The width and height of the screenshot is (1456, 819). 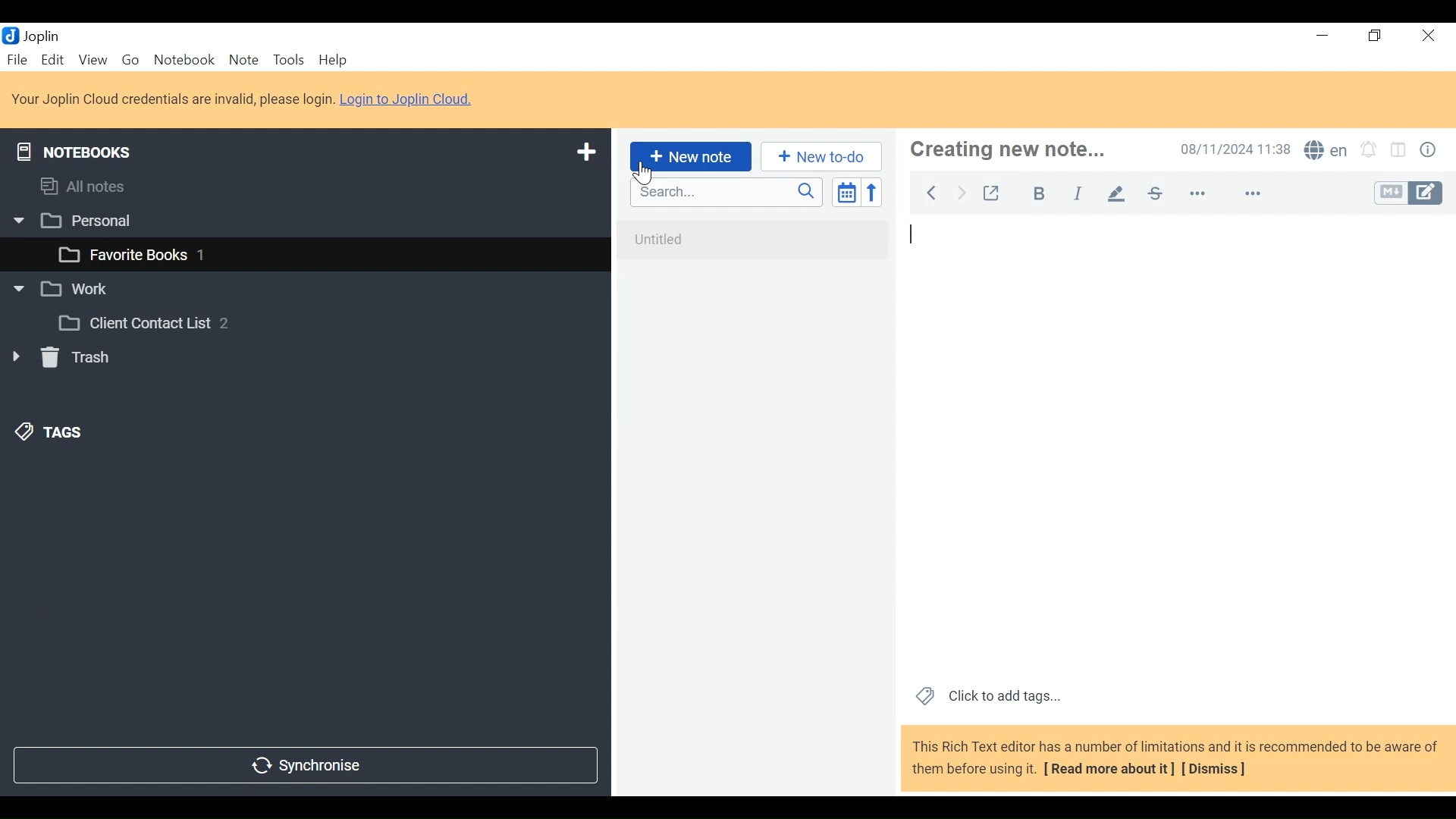 I want to click on Restore, so click(x=1376, y=35).